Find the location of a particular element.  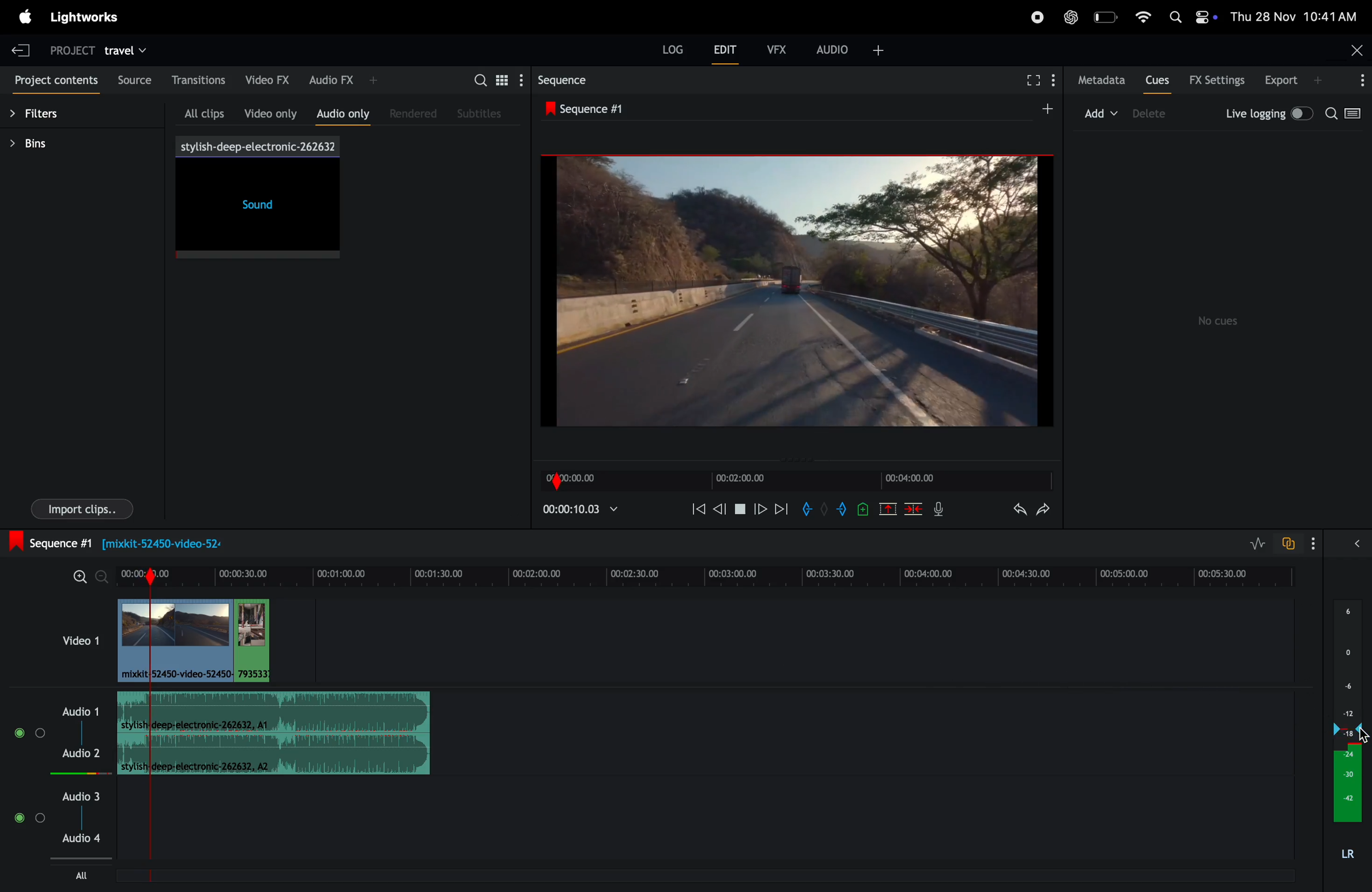

video time is located at coordinates (756, 478).